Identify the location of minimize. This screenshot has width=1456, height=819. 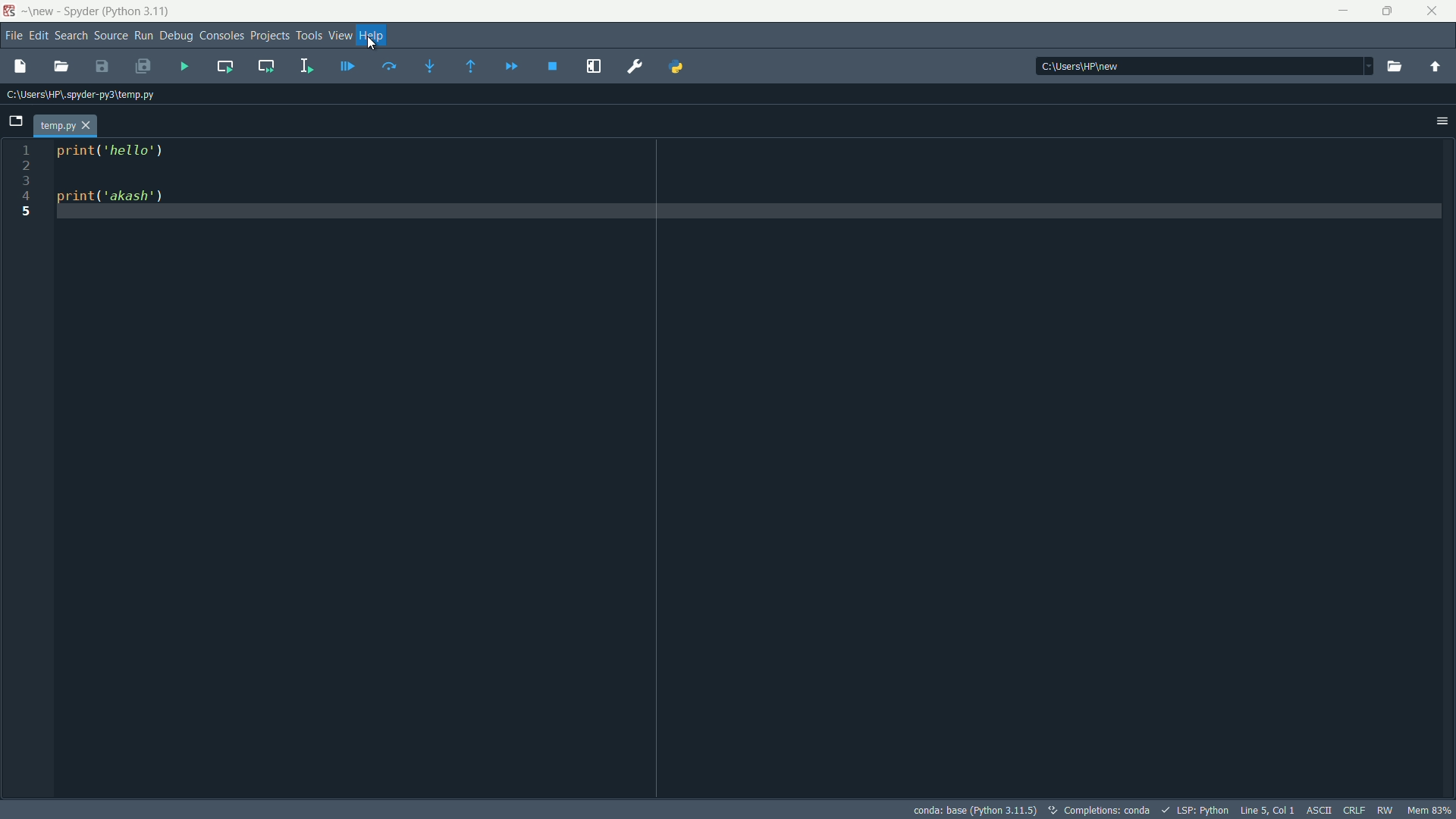
(1341, 11).